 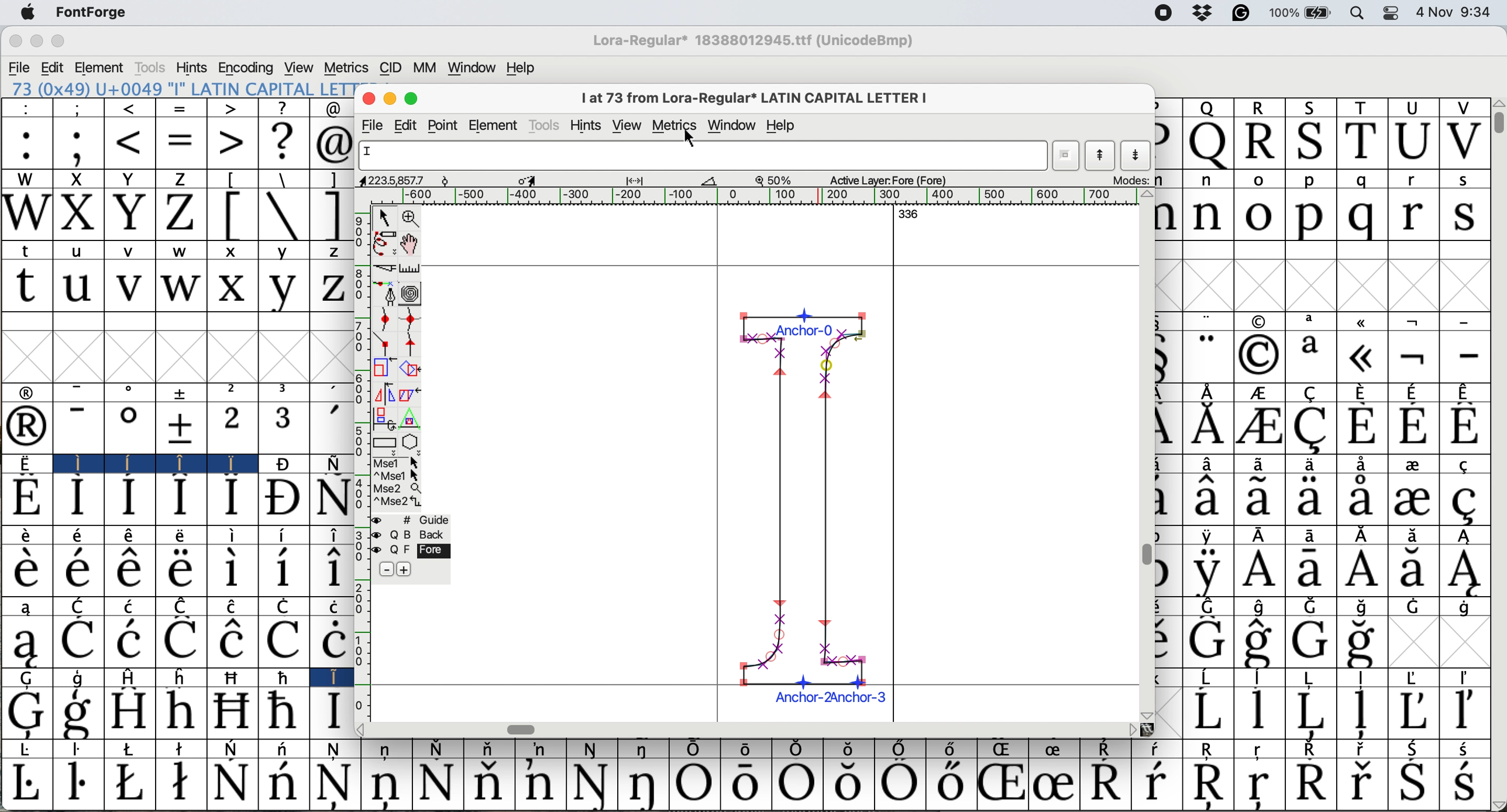 What do you see at coordinates (1148, 713) in the screenshot?
I see `` at bounding box center [1148, 713].